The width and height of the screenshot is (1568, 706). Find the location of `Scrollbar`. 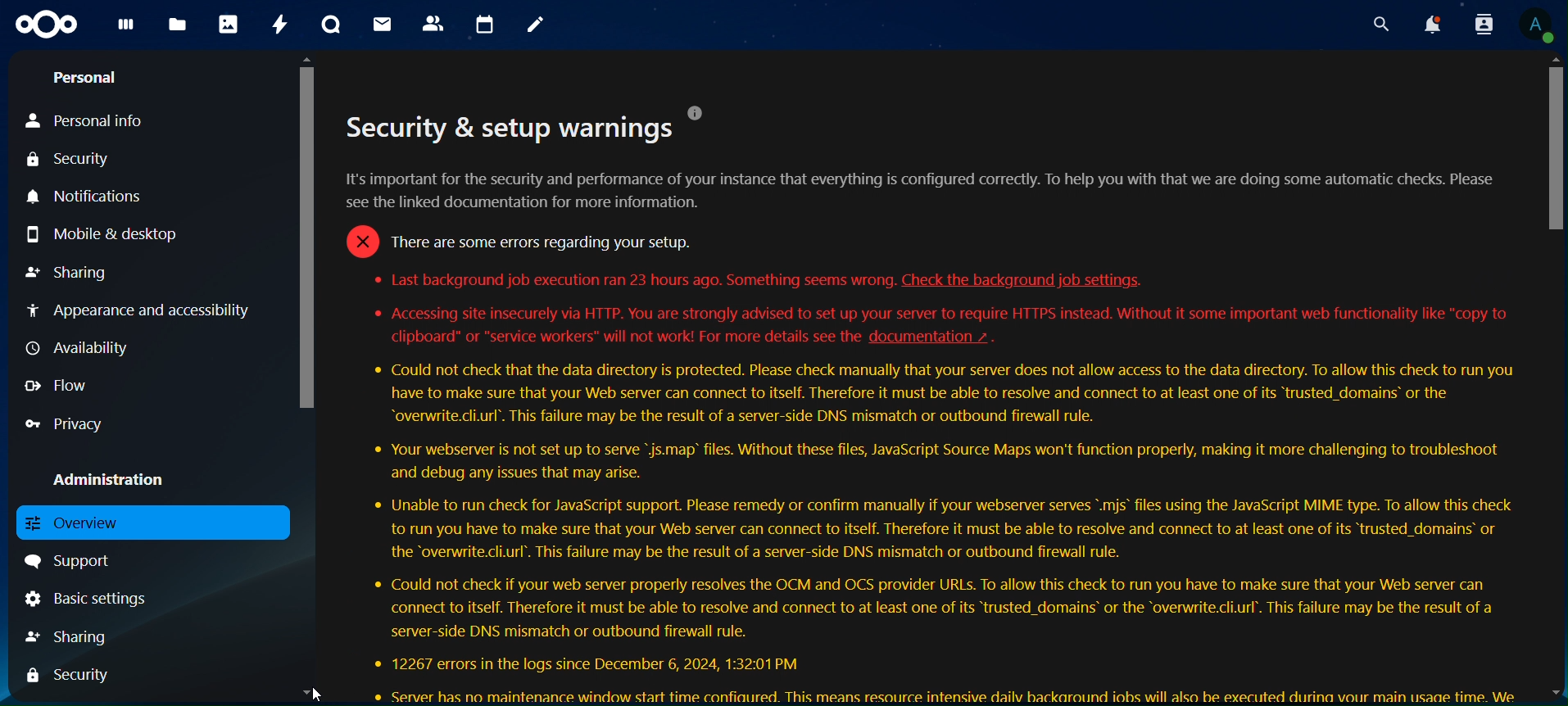

Scrollbar is located at coordinates (1552, 376).